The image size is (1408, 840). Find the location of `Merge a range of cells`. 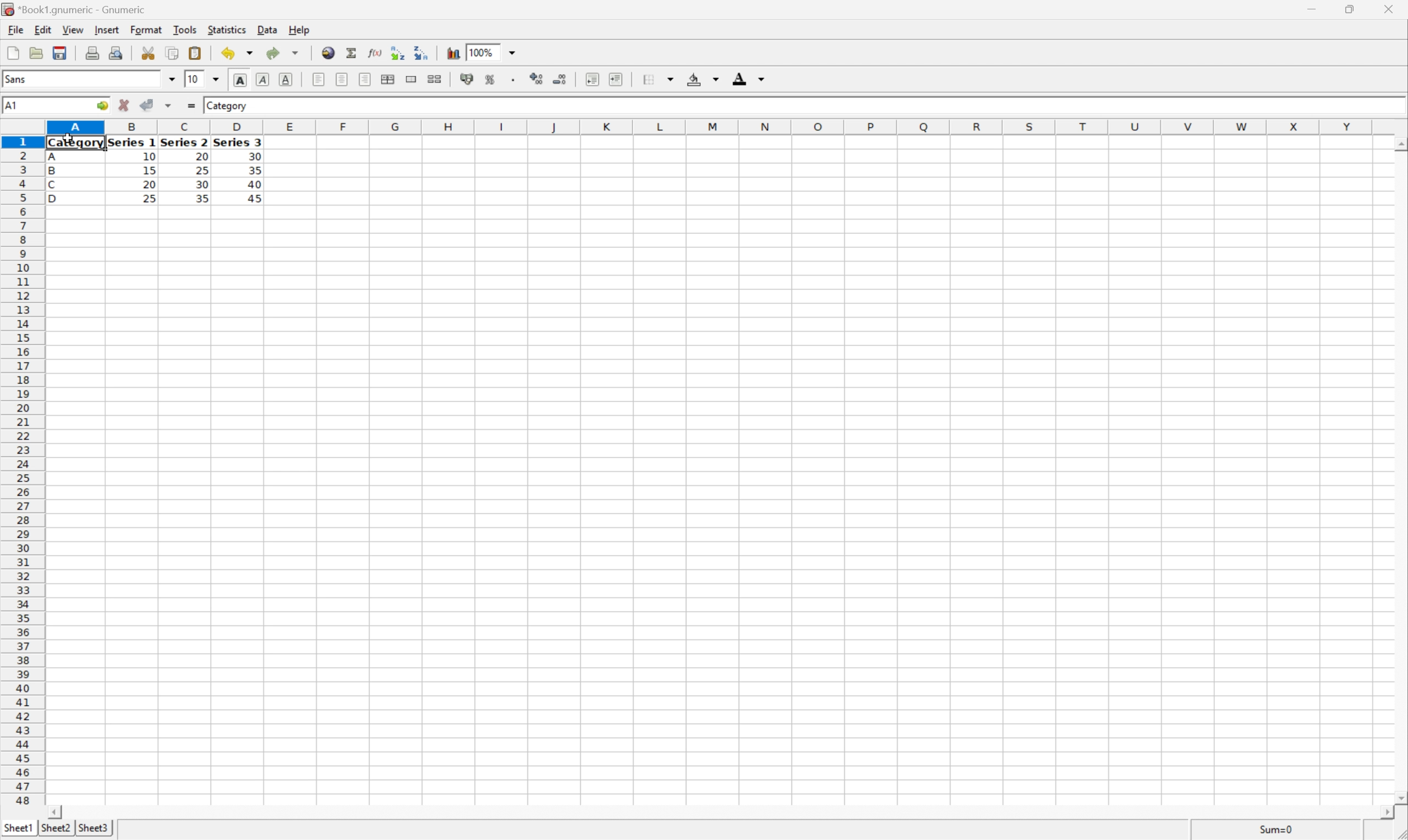

Merge a range of cells is located at coordinates (410, 79).